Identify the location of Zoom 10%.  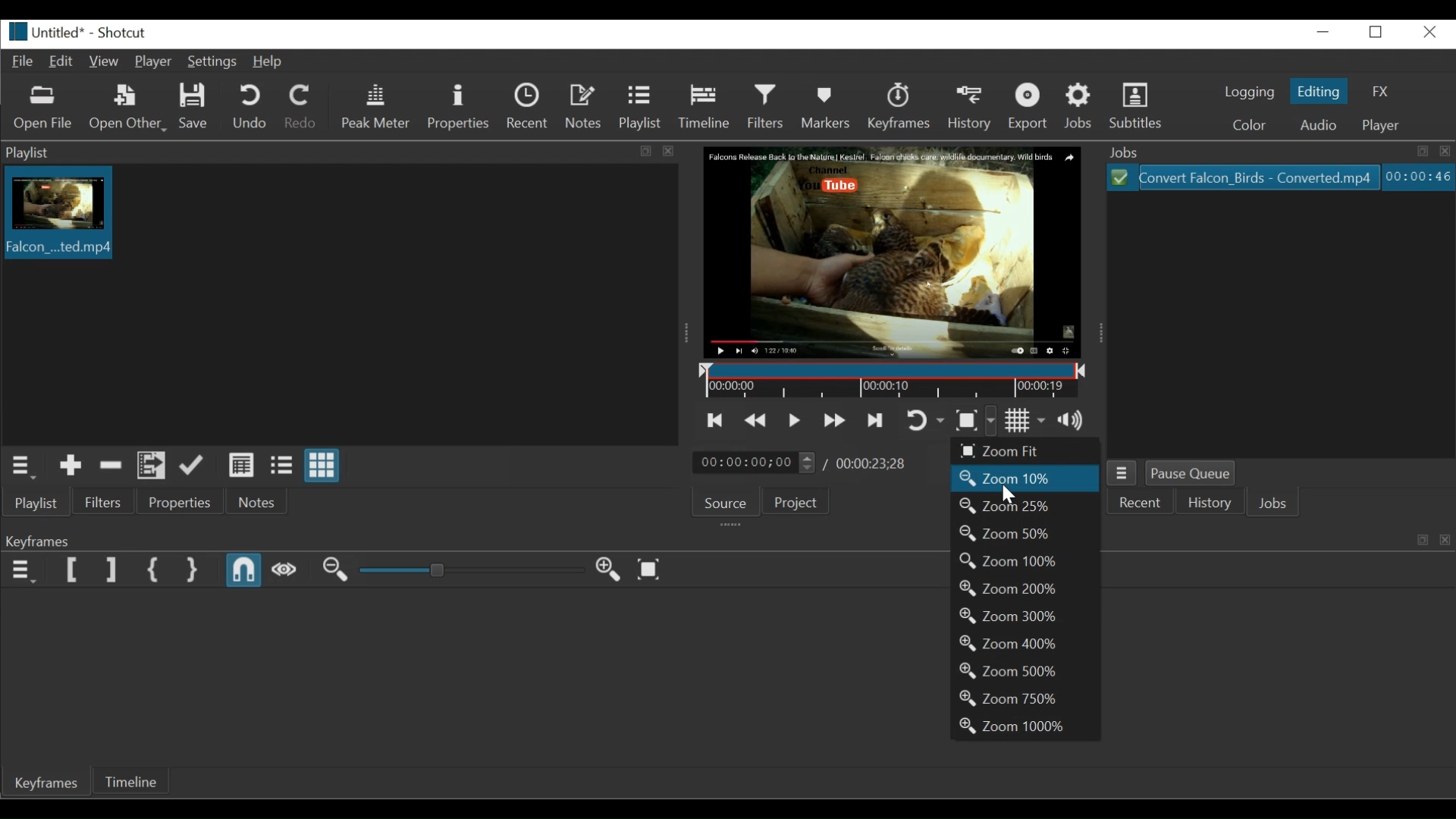
(1027, 479).